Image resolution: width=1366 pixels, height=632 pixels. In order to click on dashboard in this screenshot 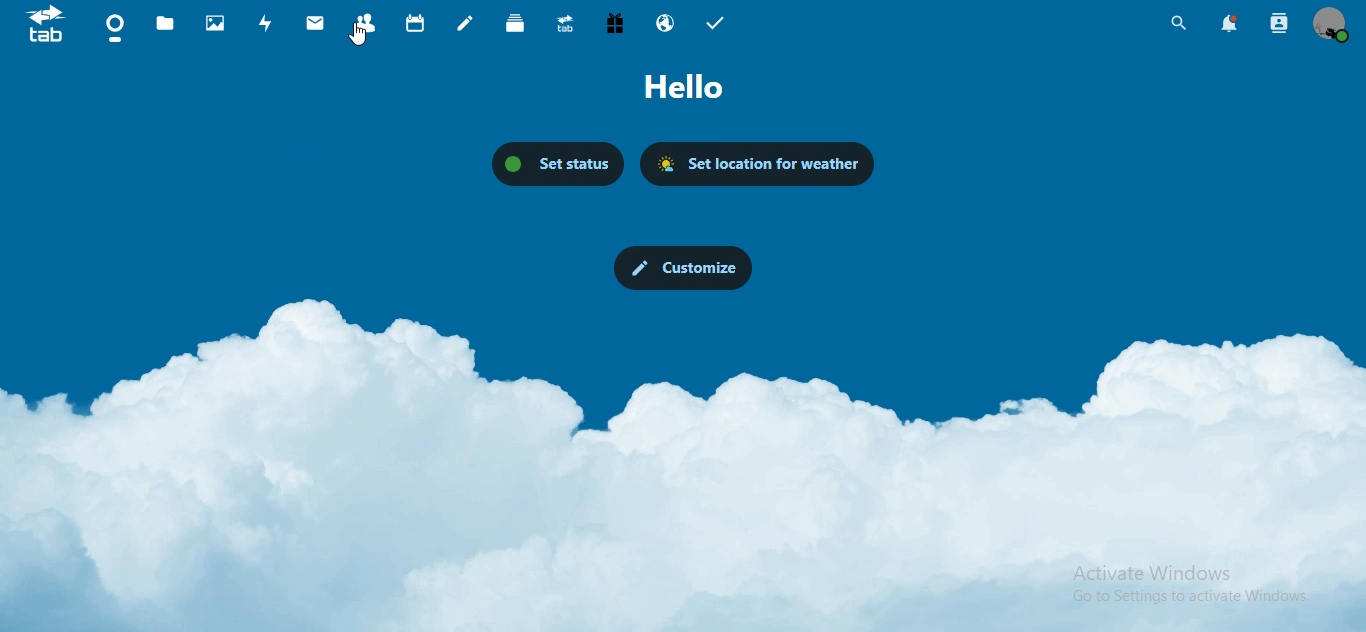, I will do `click(118, 28)`.